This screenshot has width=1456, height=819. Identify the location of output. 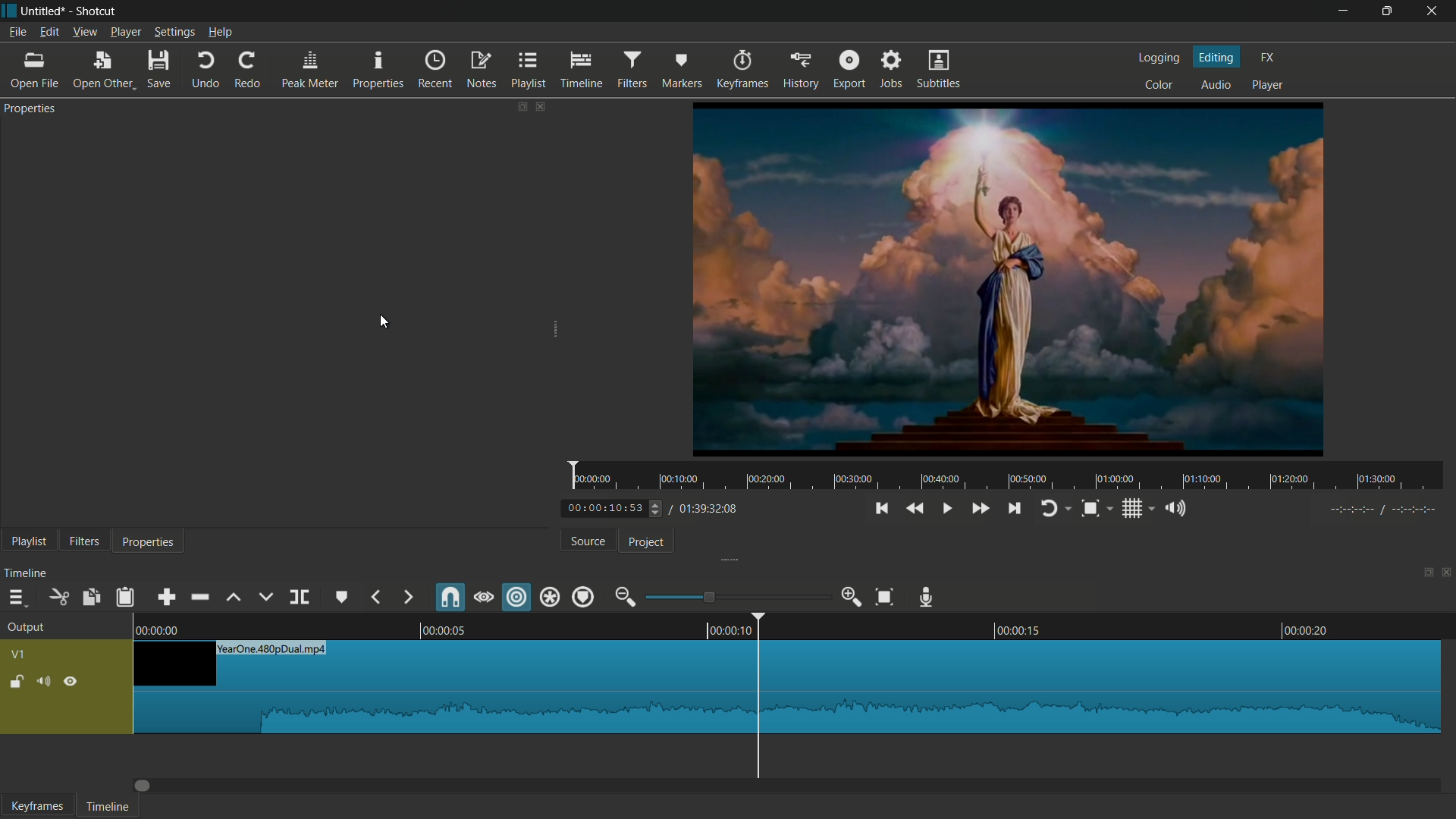
(27, 628).